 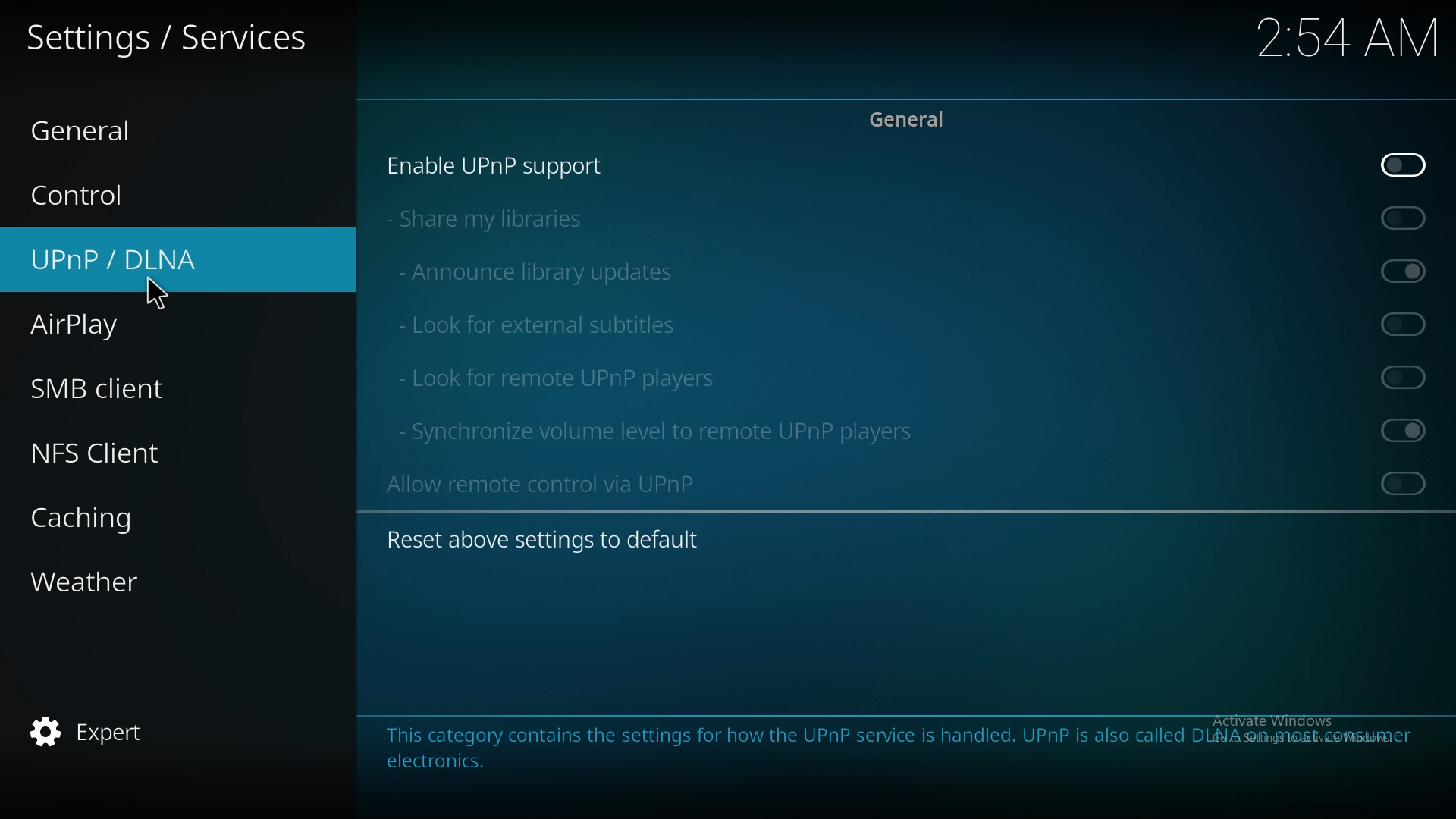 I want to click on This category contains the settings for how the UPnP service is handled. UPnP is also called ectronics., so click(x=717, y=744).